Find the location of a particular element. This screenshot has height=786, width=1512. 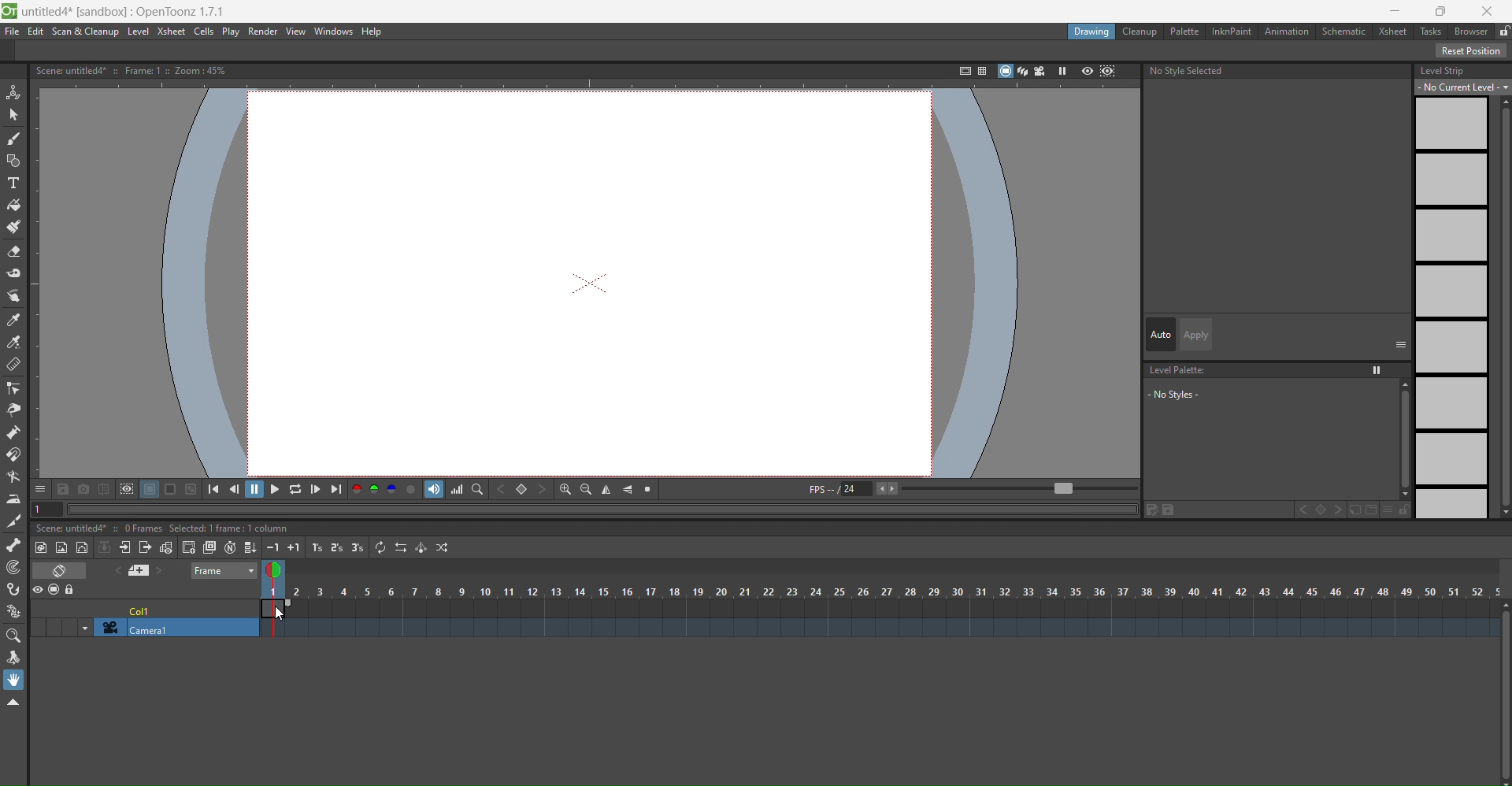

duplicate drawing is located at coordinates (209, 548).